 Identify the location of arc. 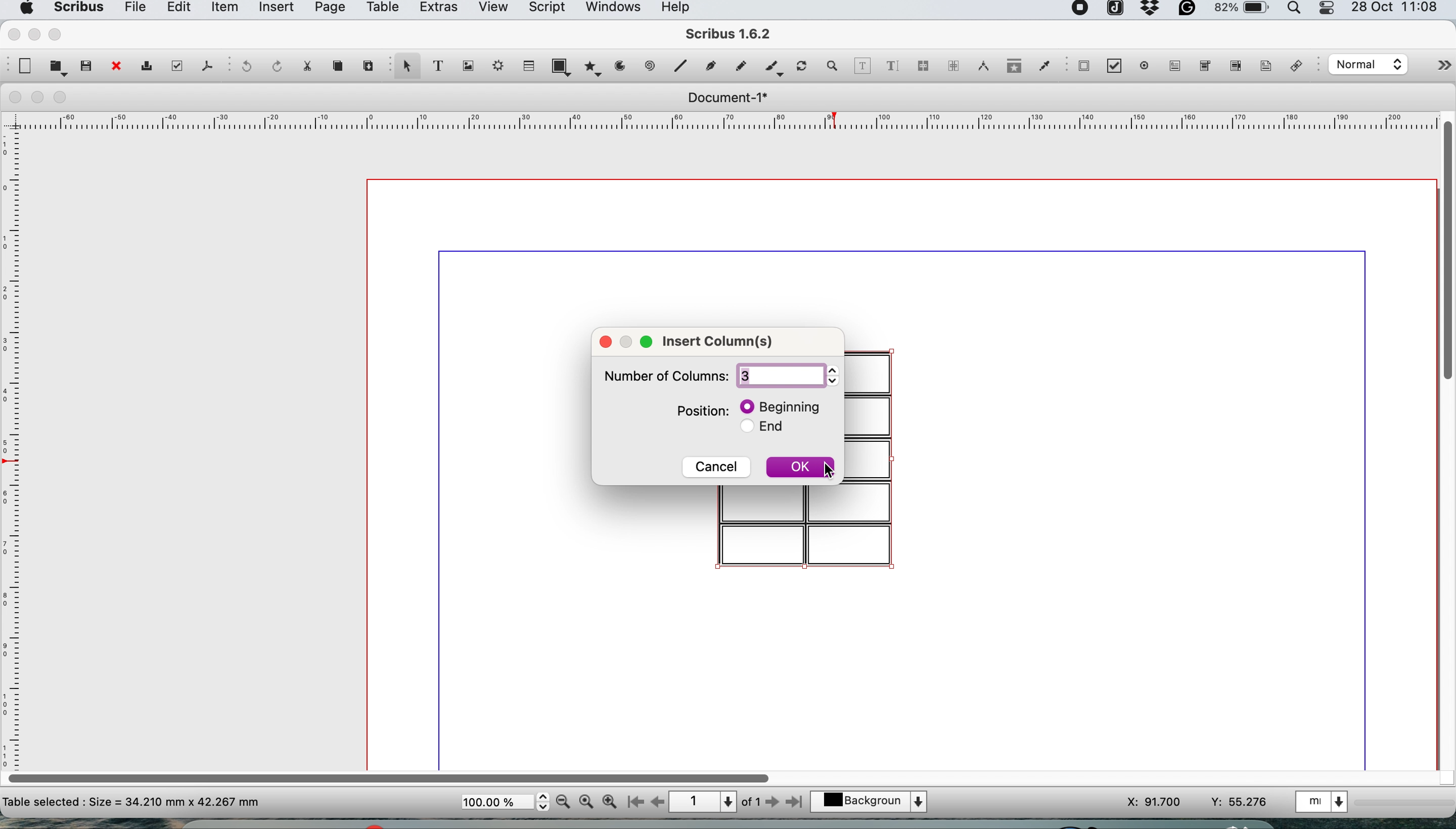
(624, 66).